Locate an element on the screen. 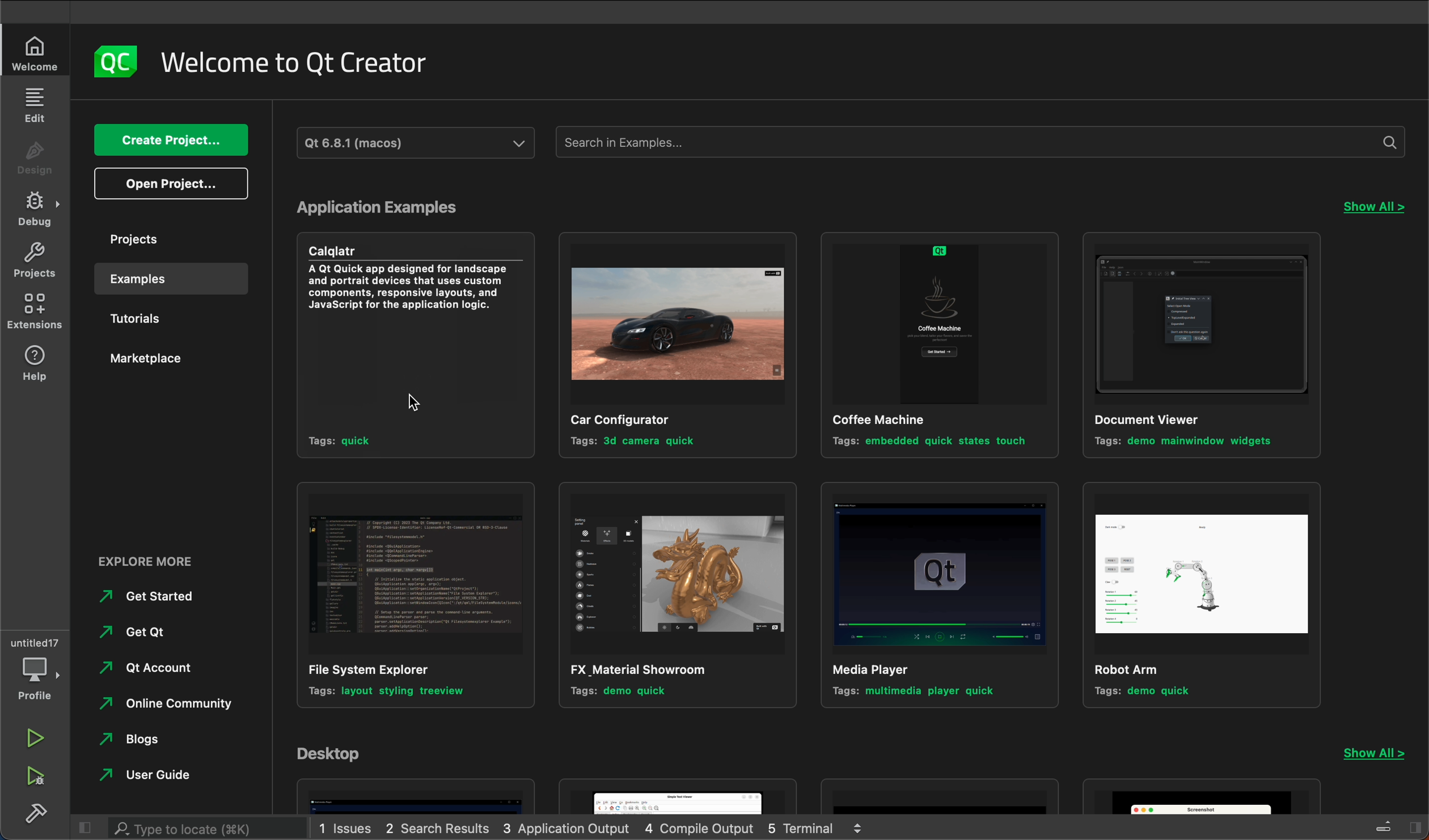 The height and width of the screenshot is (840, 1429). kit name is located at coordinates (418, 142).